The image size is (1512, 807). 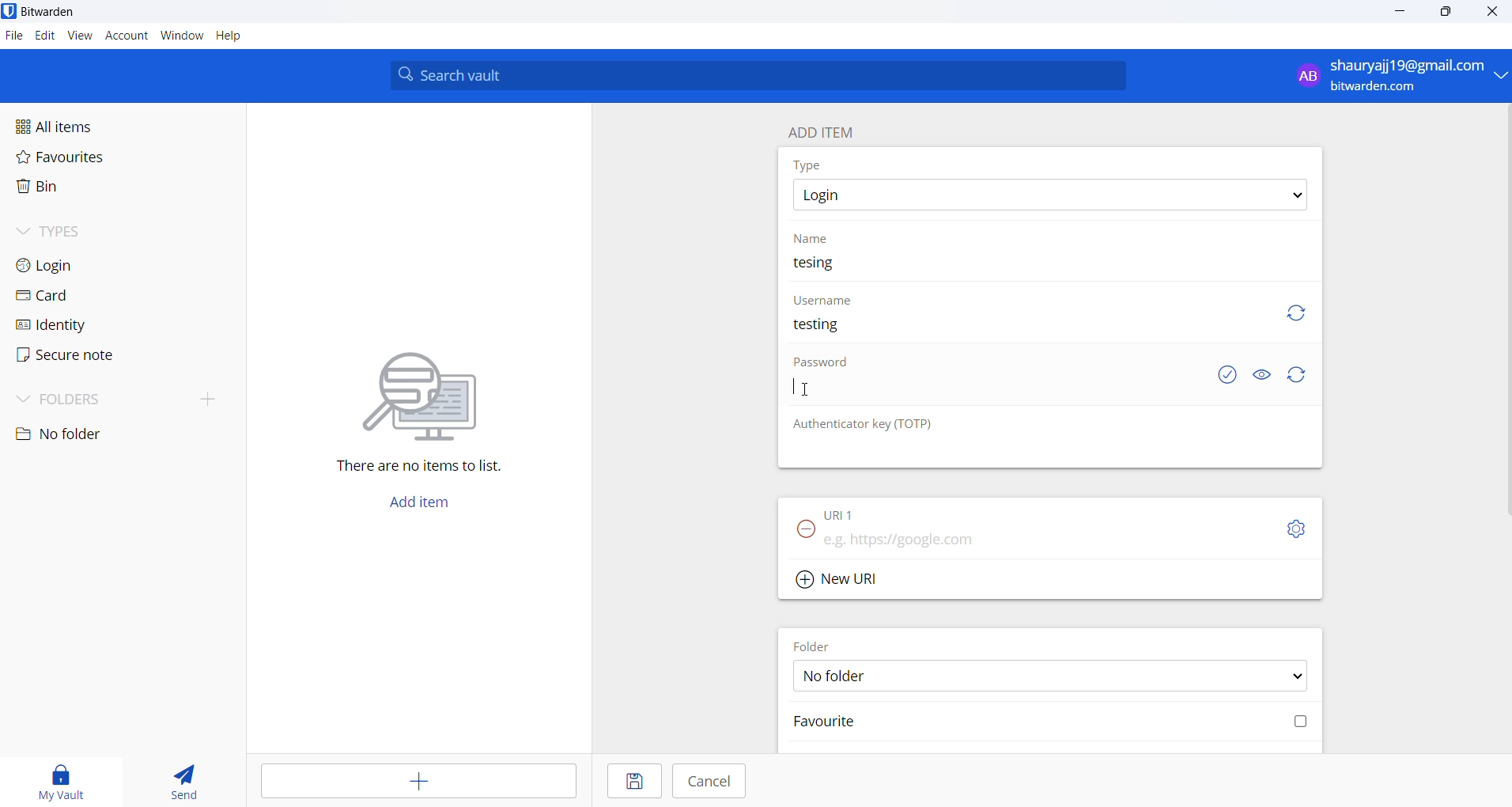 What do you see at coordinates (76, 229) in the screenshot?
I see `Types` at bounding box center [76, 229].